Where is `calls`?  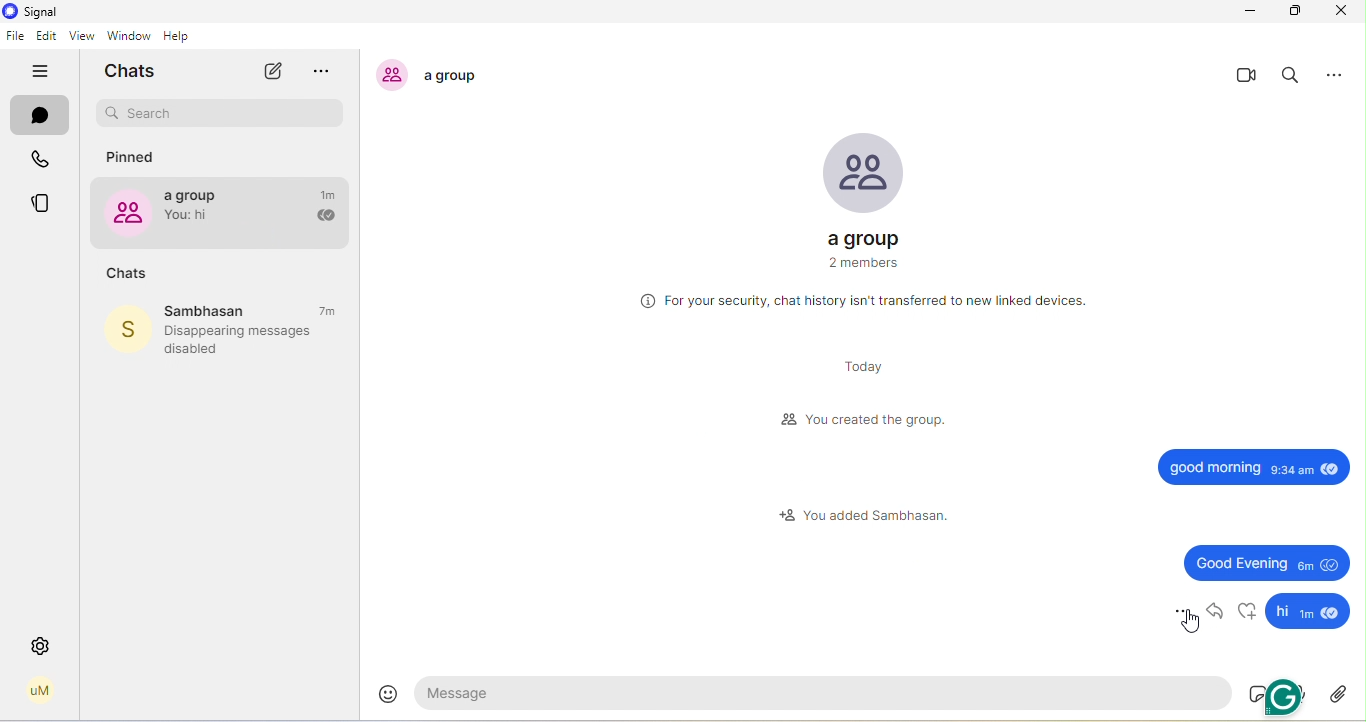
calls is located at coordinates (44, 162).